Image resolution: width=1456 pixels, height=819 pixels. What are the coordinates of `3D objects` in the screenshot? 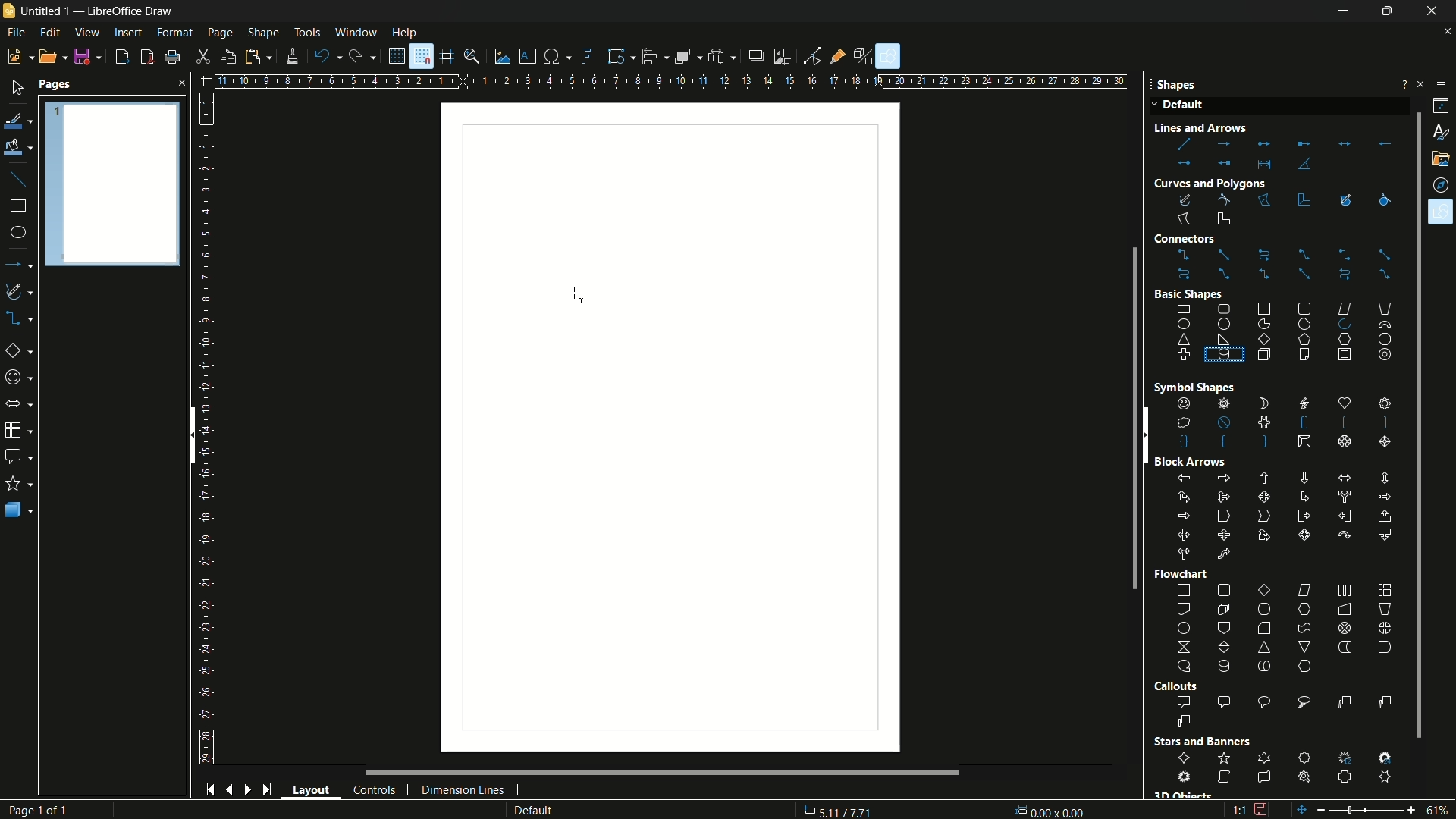 It's located at (19, 510).